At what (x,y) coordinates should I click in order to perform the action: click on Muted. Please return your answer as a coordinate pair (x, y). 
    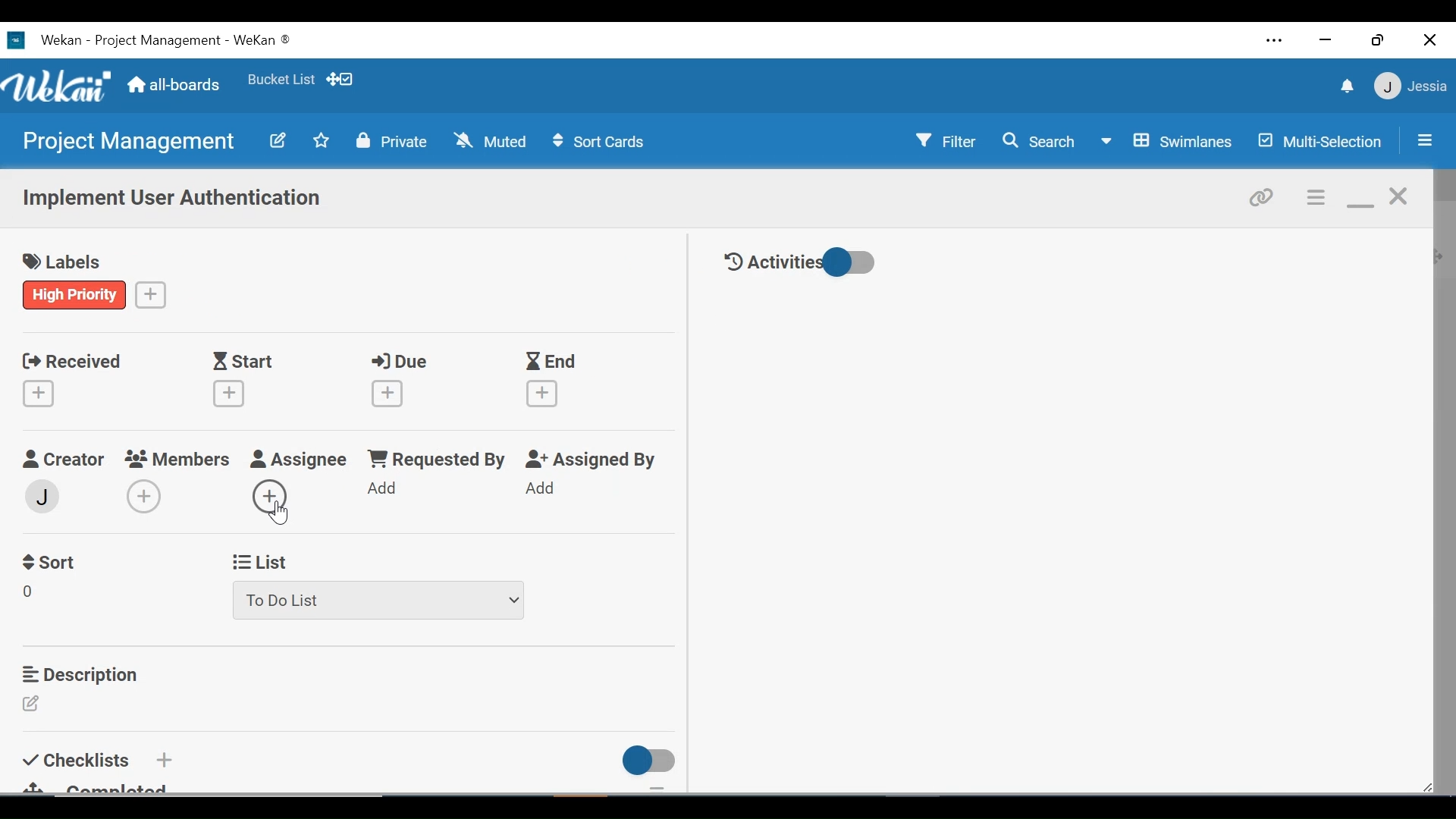
    Looking at the image, I should click on (494, 140).